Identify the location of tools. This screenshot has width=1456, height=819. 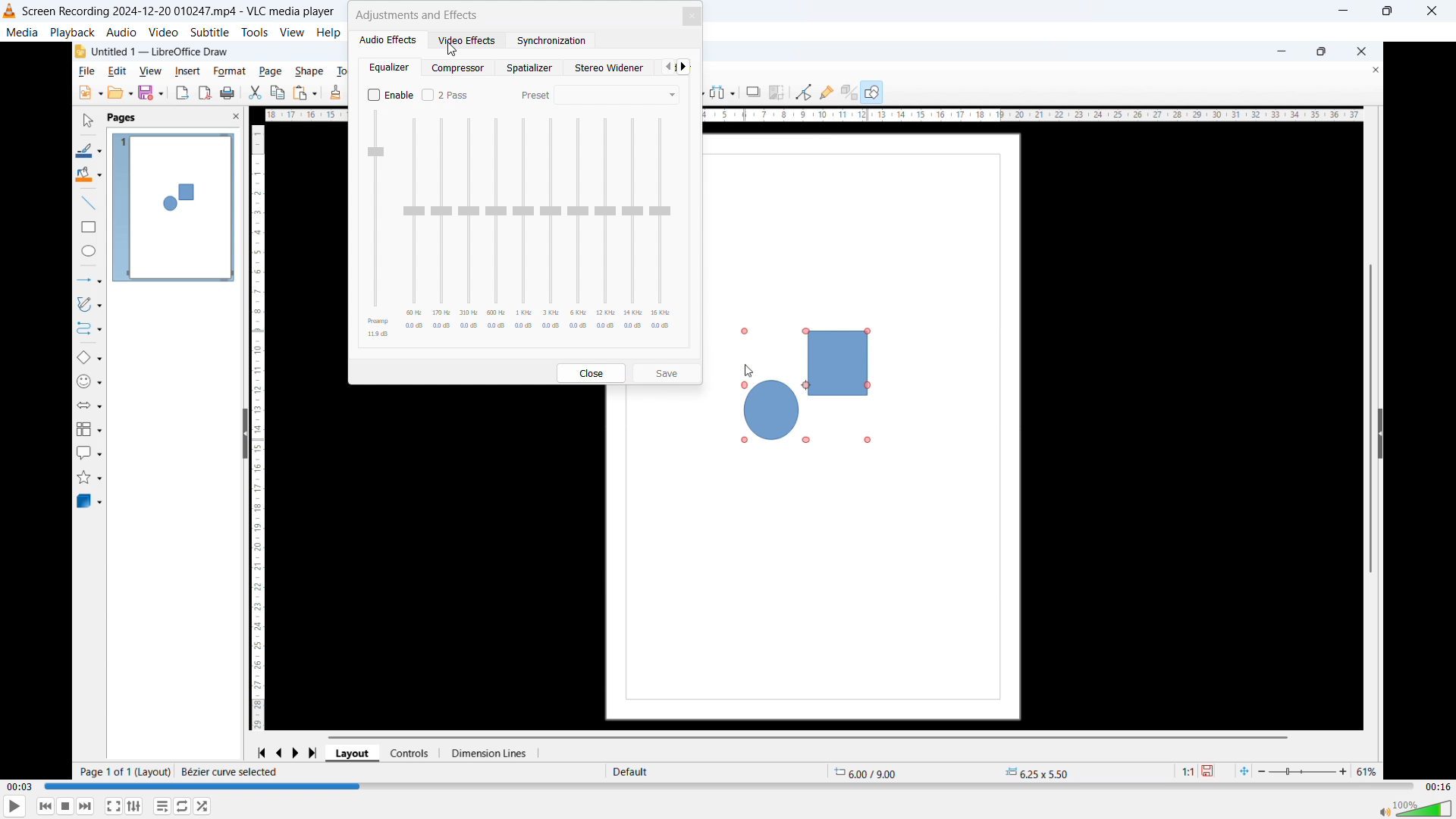
(256, 32).